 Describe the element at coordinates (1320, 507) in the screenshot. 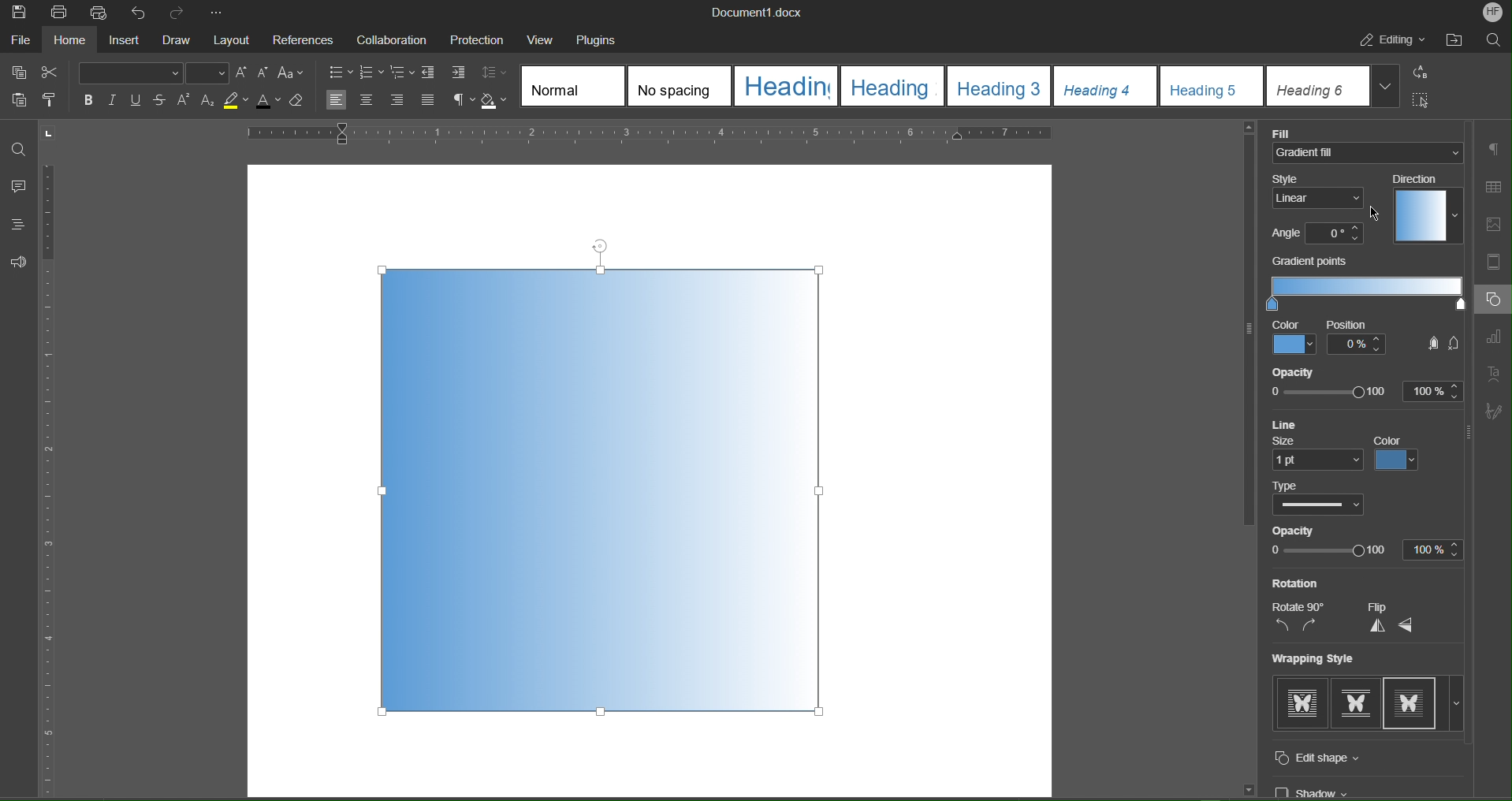

I see `Line type` at that location.